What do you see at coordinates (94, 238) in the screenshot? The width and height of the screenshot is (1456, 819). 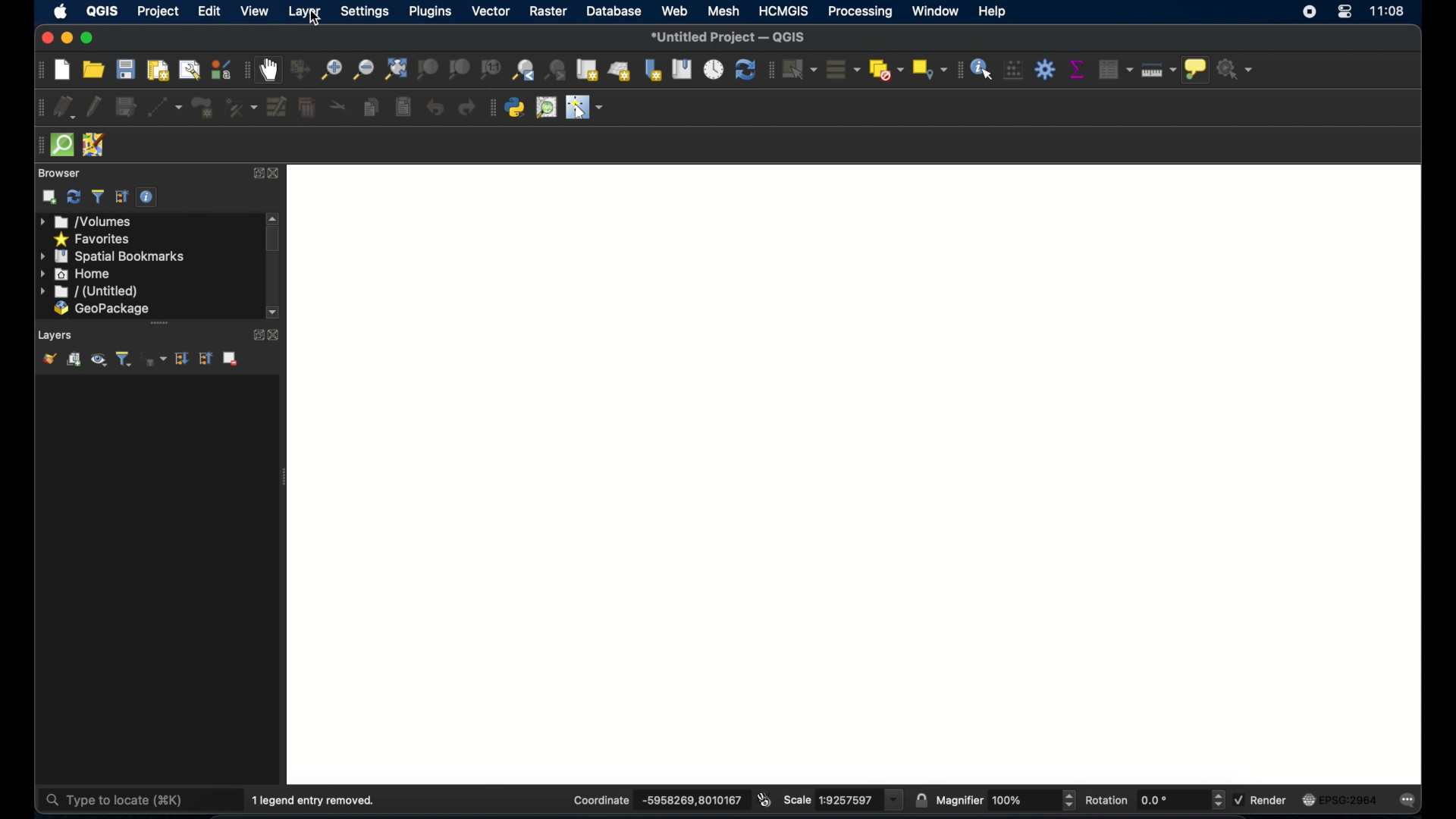 I see `favorites` at bounding box center [94, 238].